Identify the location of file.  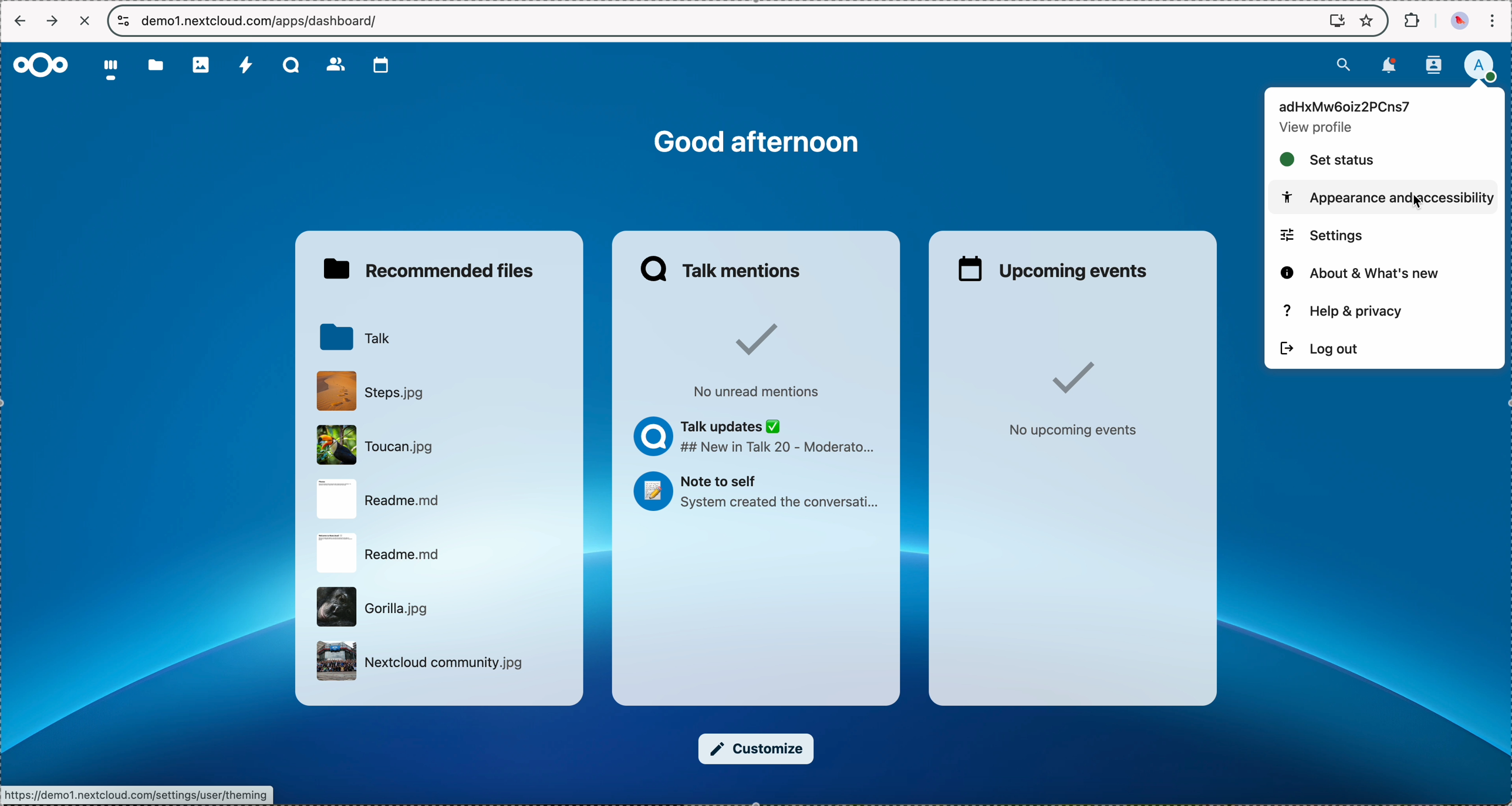
(374, 607).